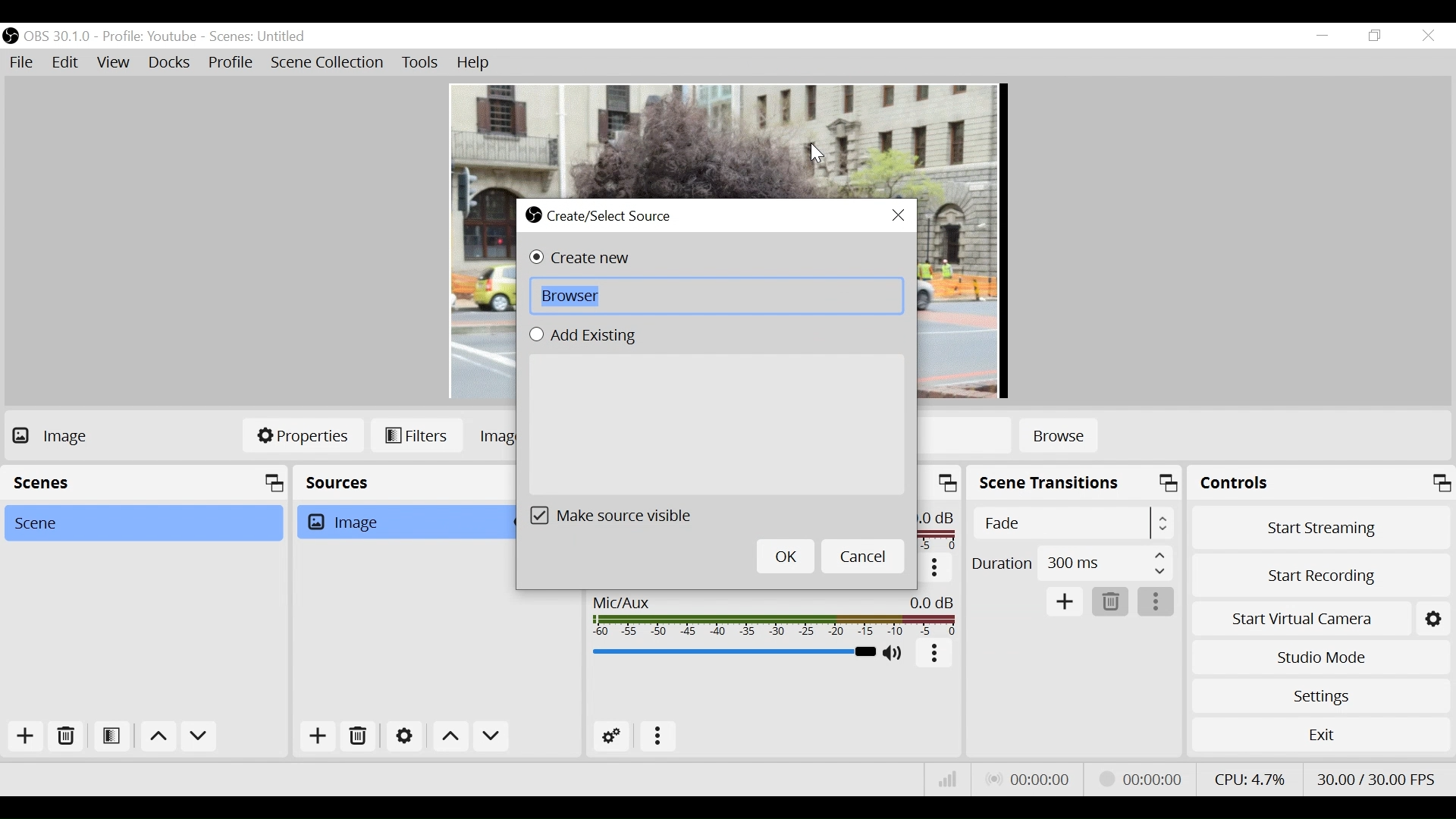 The height and width of the screenshot is (819, 1456). What do you see at coordinates (1064, 602) in the screenshot?
I see `Add` at bounding box center [1064, 602].